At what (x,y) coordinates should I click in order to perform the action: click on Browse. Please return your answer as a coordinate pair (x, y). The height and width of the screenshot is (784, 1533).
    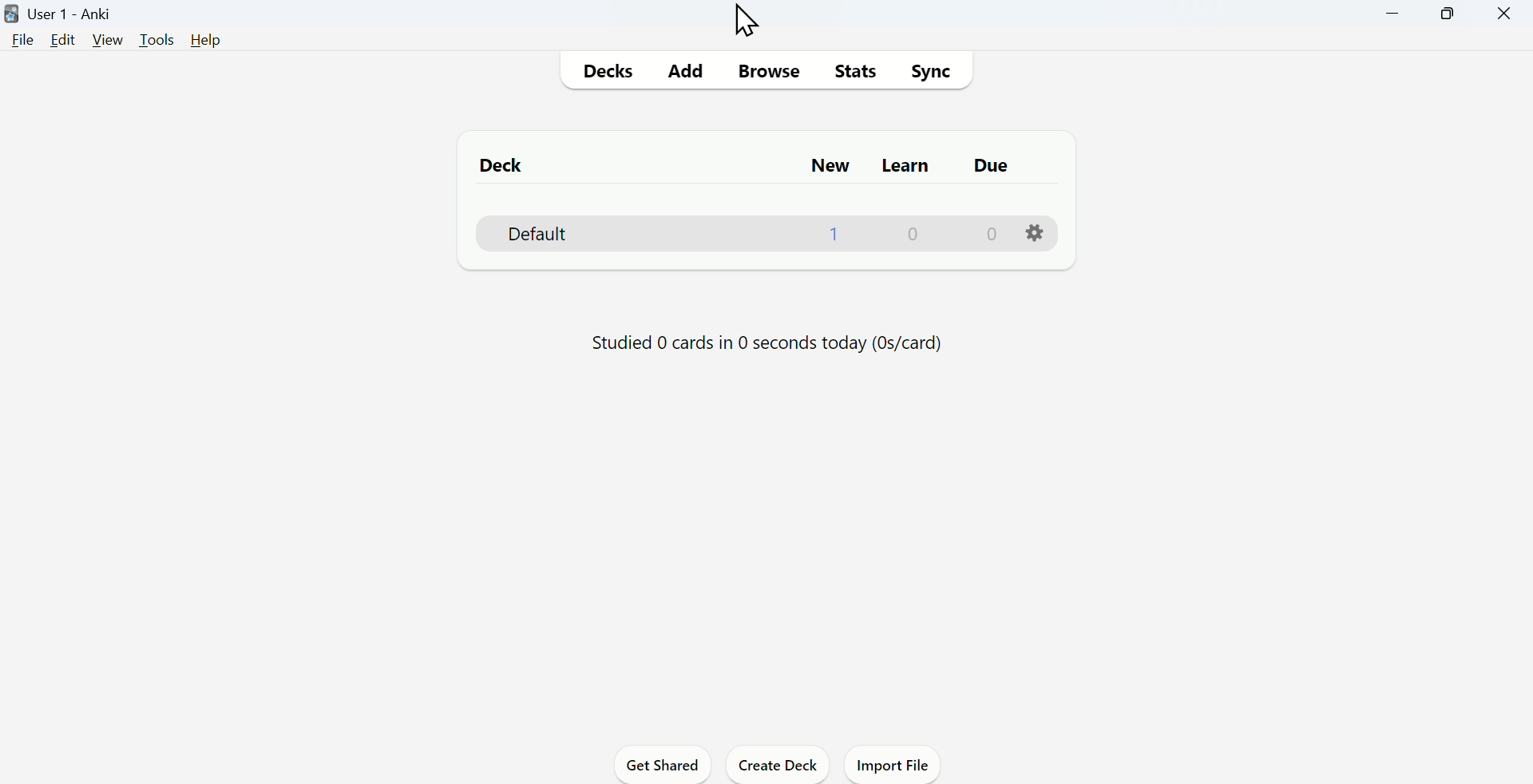
    Looking at the image, I should click on (766, 69).